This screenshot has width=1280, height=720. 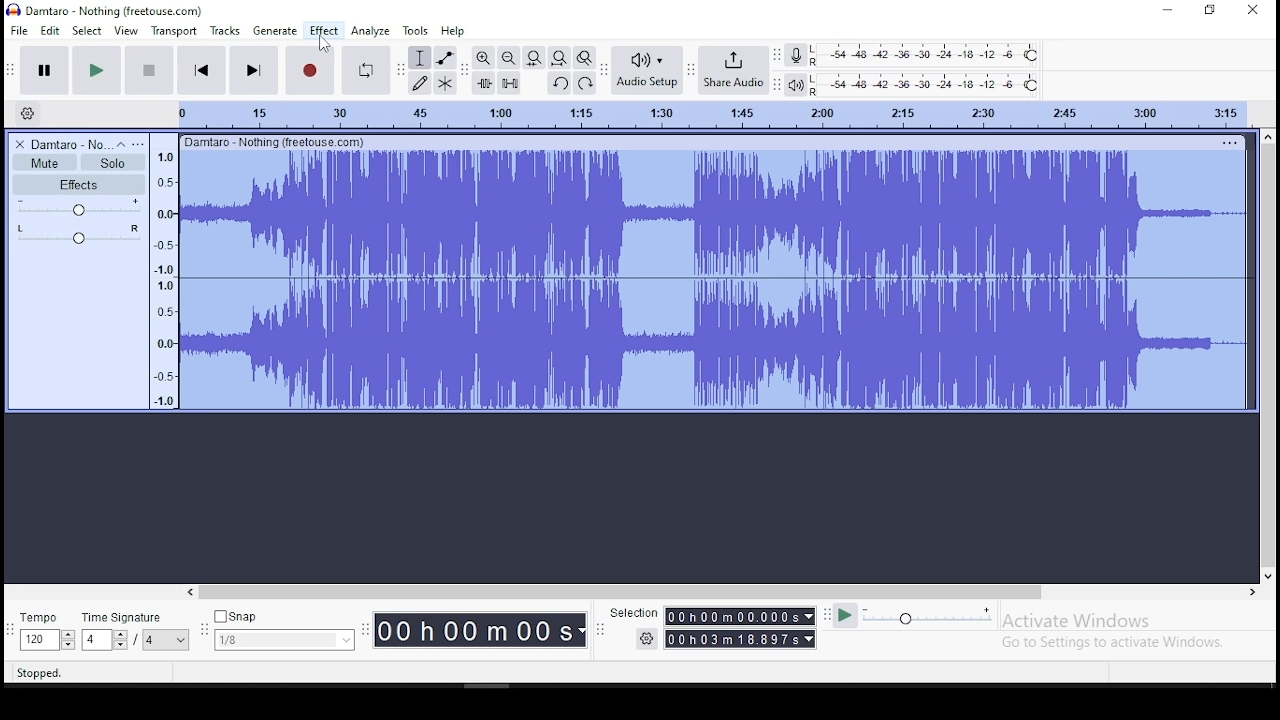 What do you see at coordinates (136, 628) in the screenshot?
I see `time signature` at bounding box center [136, 628].